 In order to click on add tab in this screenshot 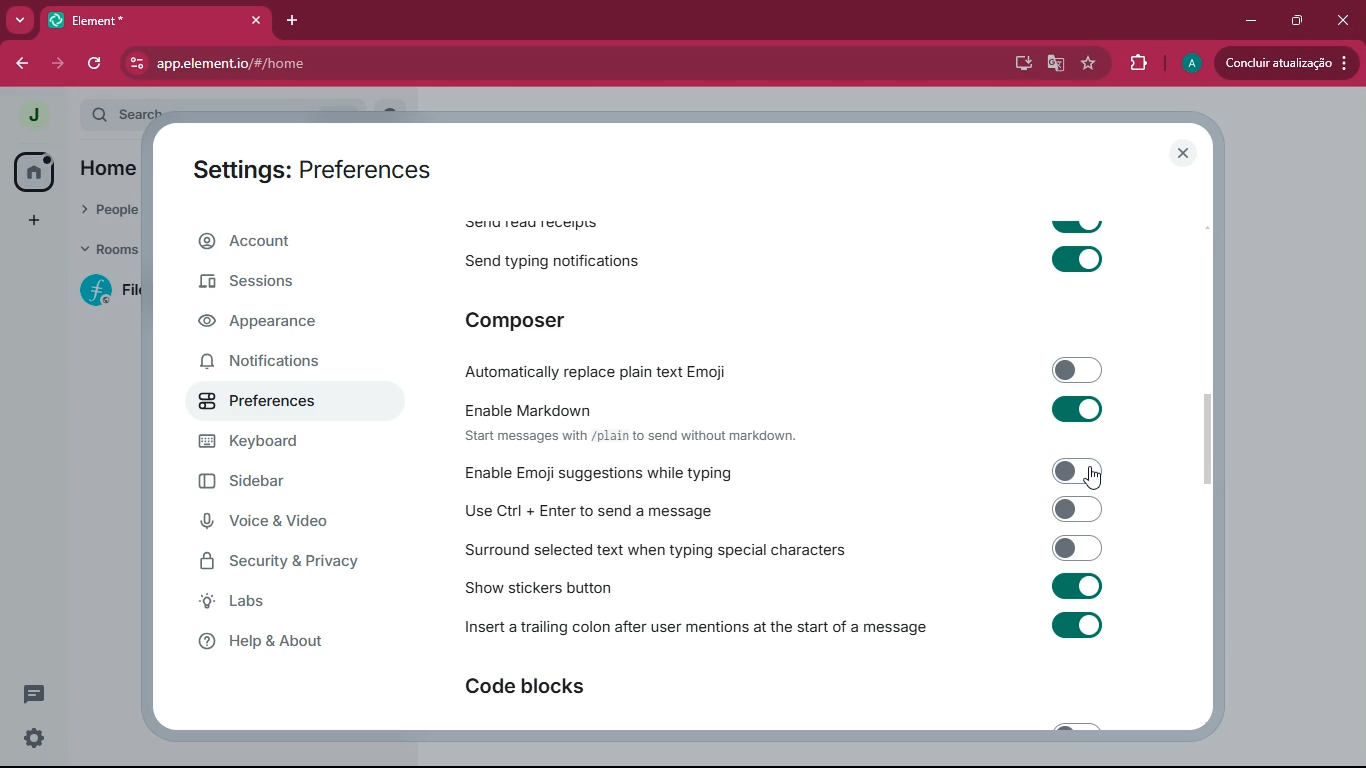, I will do `click(288, 20)`.